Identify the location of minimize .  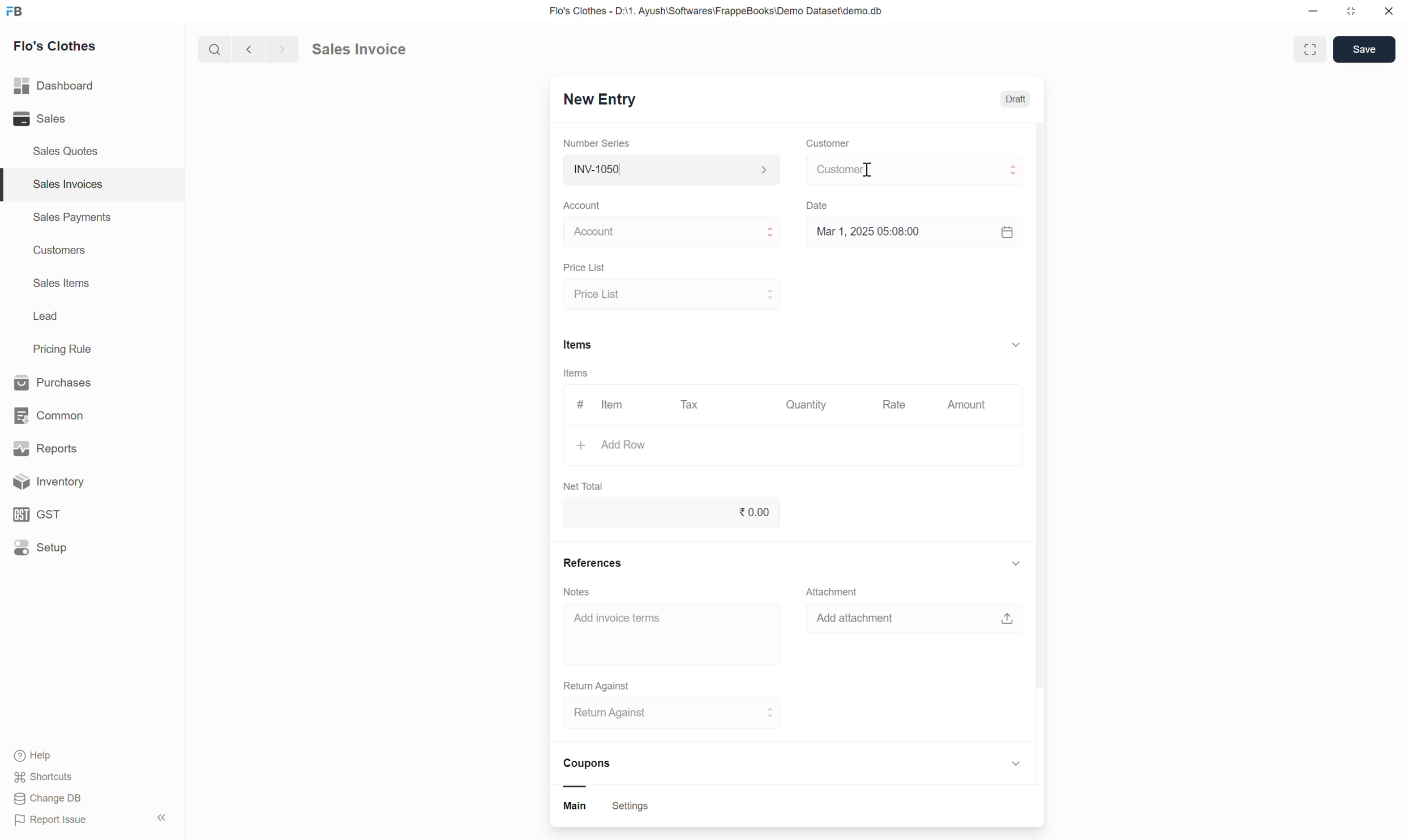
(1318, 12).